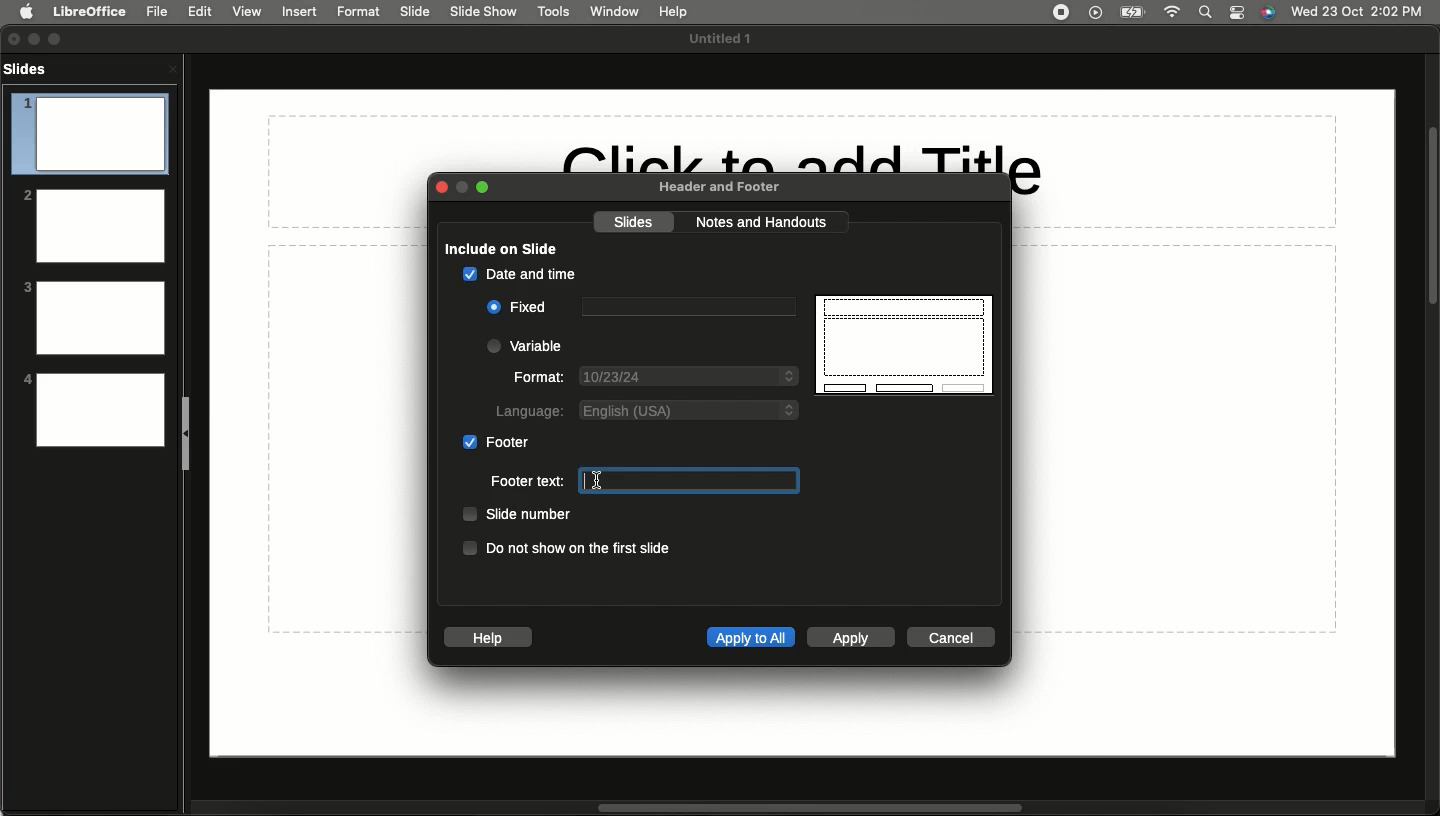 The height and width of the screenshot is (816, 1440). I want to click on Hel, so click(674, 12).